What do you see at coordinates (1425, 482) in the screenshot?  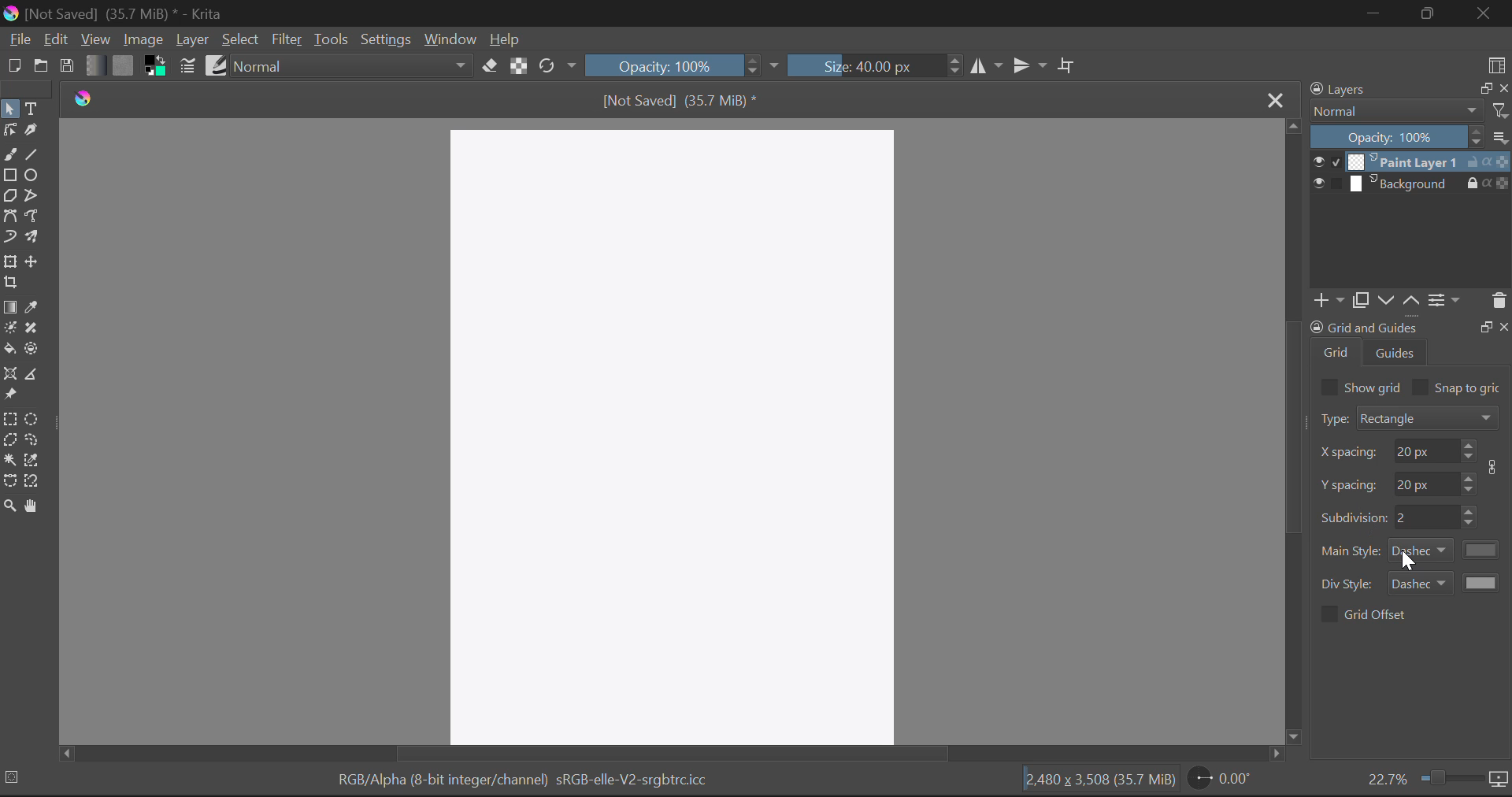 I see `spacing y` at bounding box center [1425, 482].